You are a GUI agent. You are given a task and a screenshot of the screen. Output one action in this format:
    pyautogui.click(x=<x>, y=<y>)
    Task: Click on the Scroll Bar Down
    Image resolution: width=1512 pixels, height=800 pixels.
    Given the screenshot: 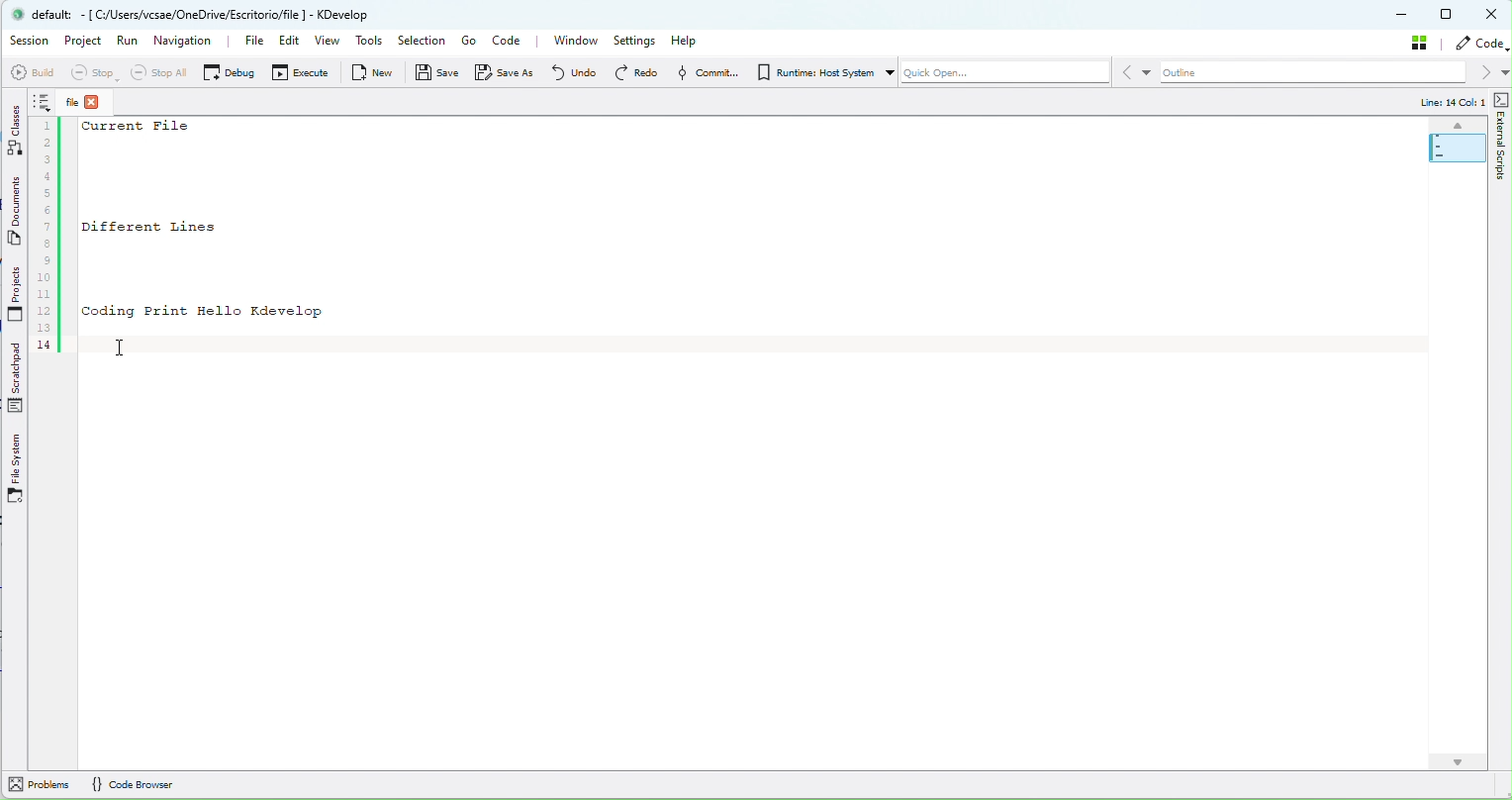 What is the action you would take?
    pyautogui.click(x=1458, y=753)
    